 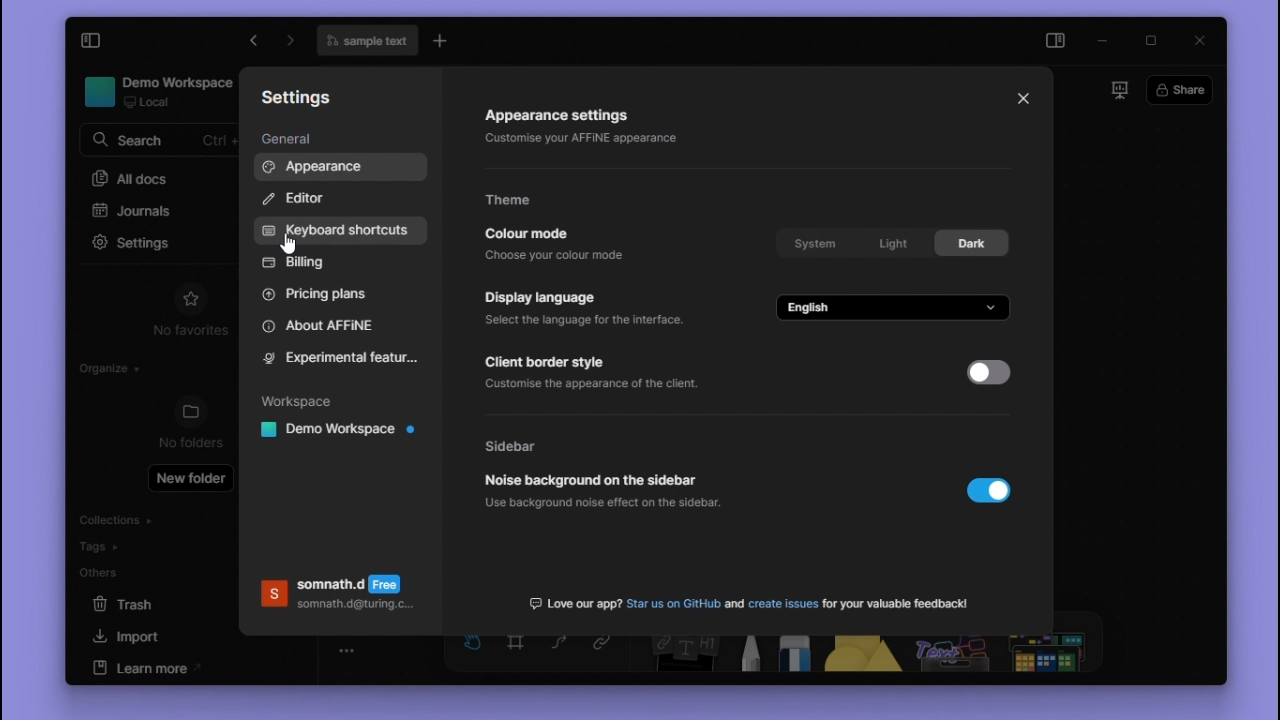 I want to click on new tab, so click(x=443, y=41).